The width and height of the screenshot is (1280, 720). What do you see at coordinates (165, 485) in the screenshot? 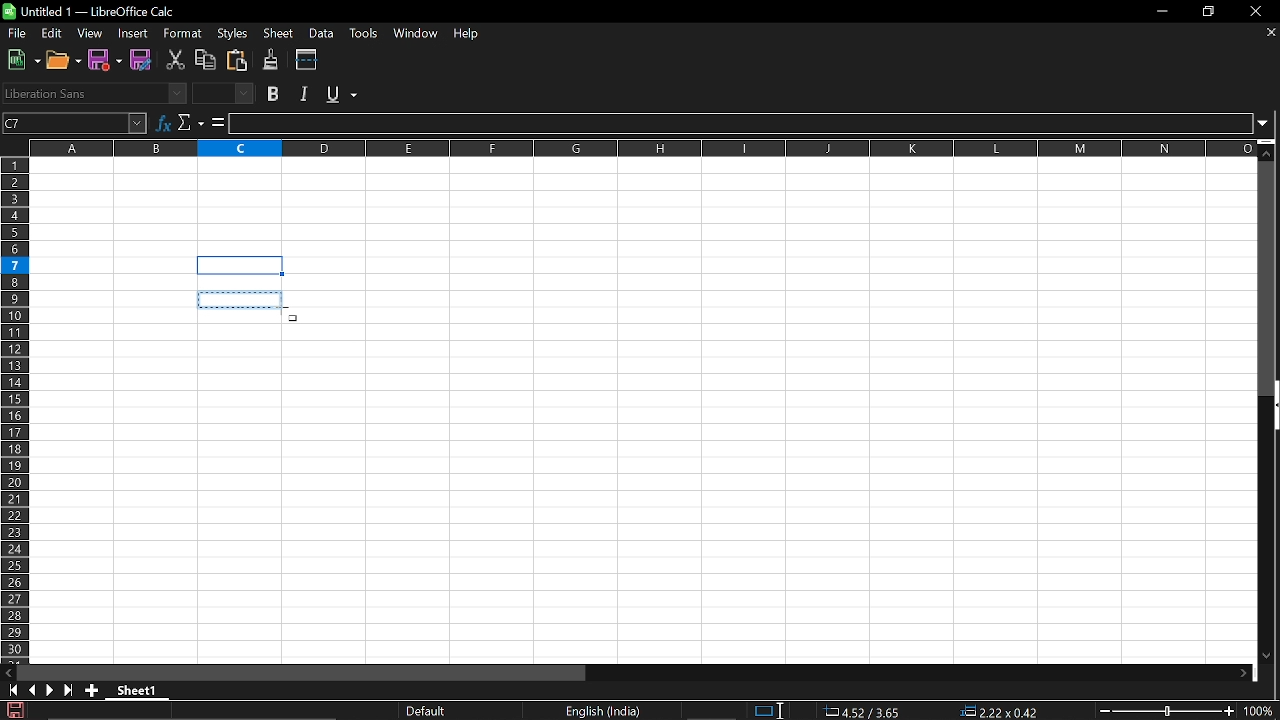
I see `Fillable cells` at bounding box center [165, 485].